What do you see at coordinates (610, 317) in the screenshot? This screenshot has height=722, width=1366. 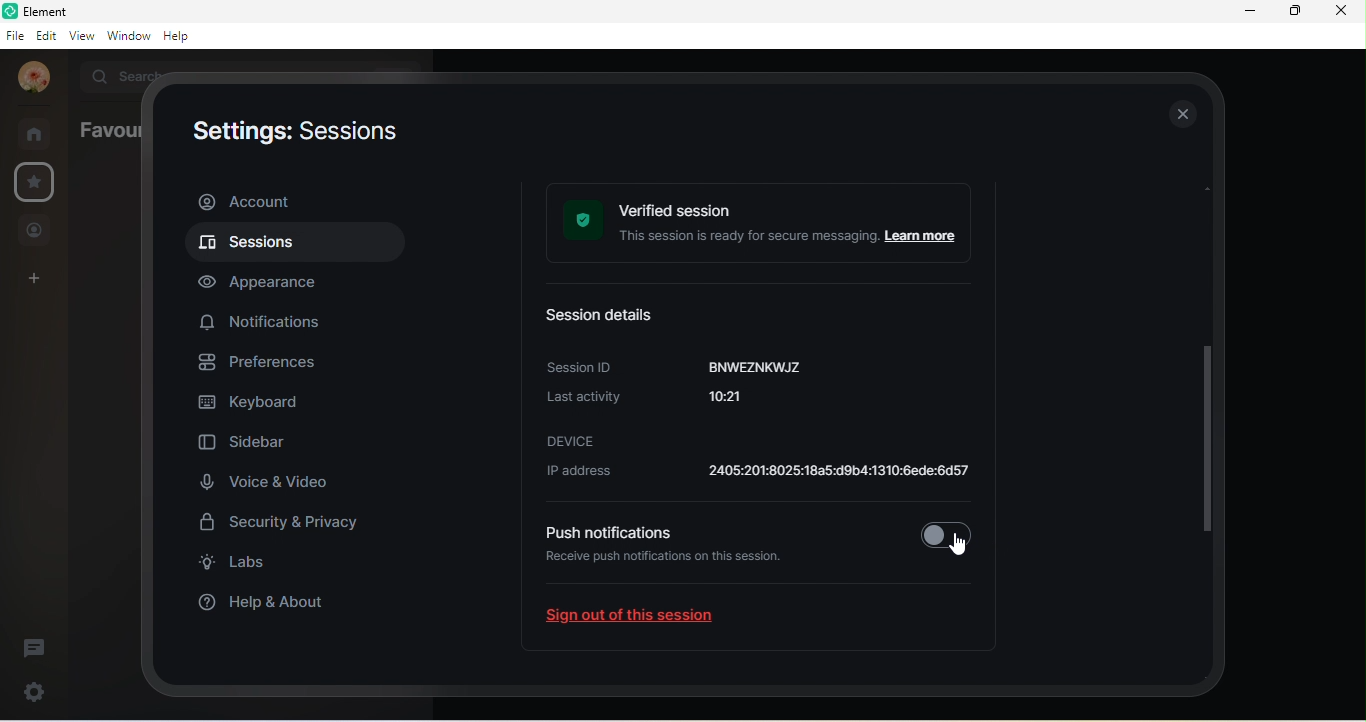 I see `session details` at bounding box center [610, 317].